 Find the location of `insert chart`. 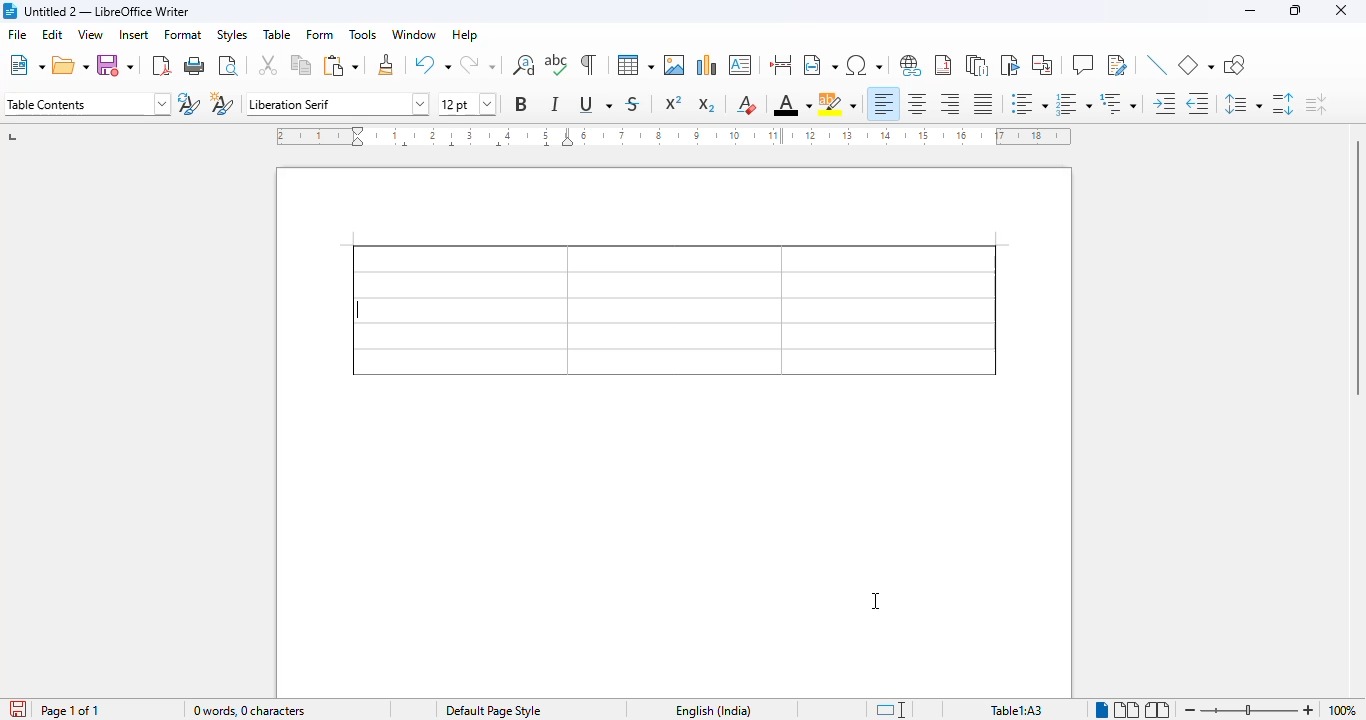

insert chart is located at coordinates (707, 65).